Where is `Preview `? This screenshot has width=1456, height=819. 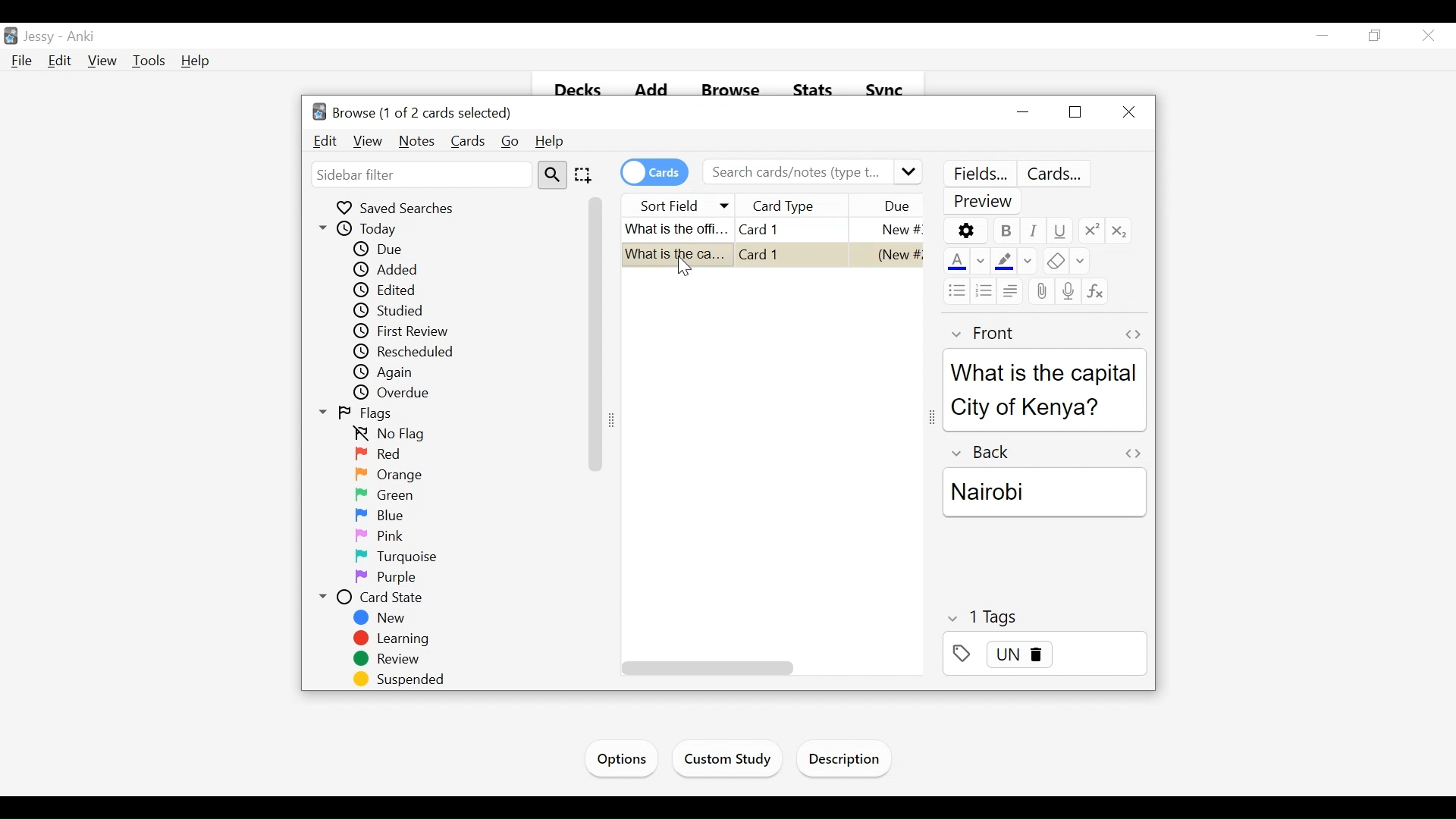 Preview  is located at coordinates (985, 202).